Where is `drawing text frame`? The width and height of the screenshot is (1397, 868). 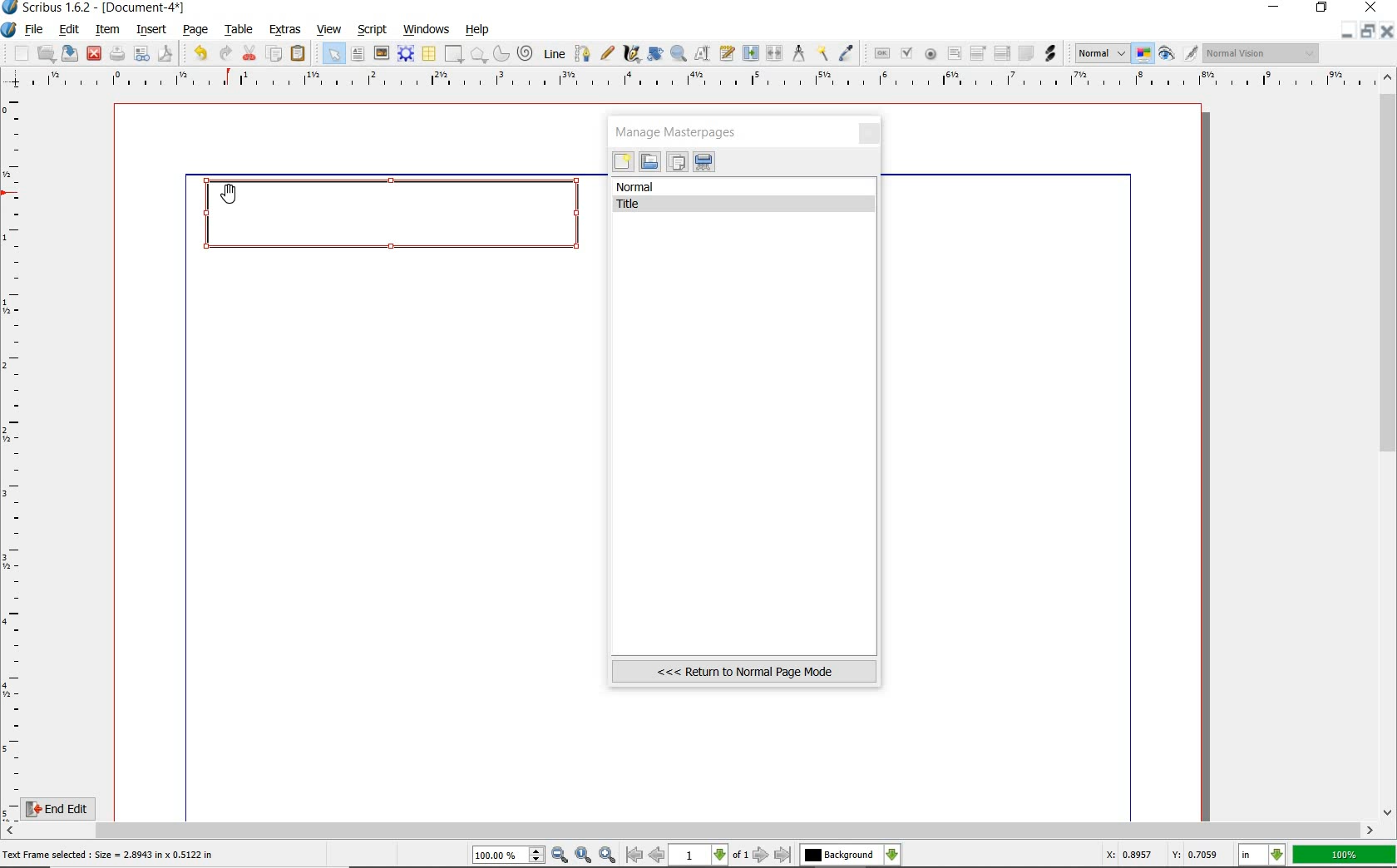 drawing text frame is located at coordinates (399, 218).